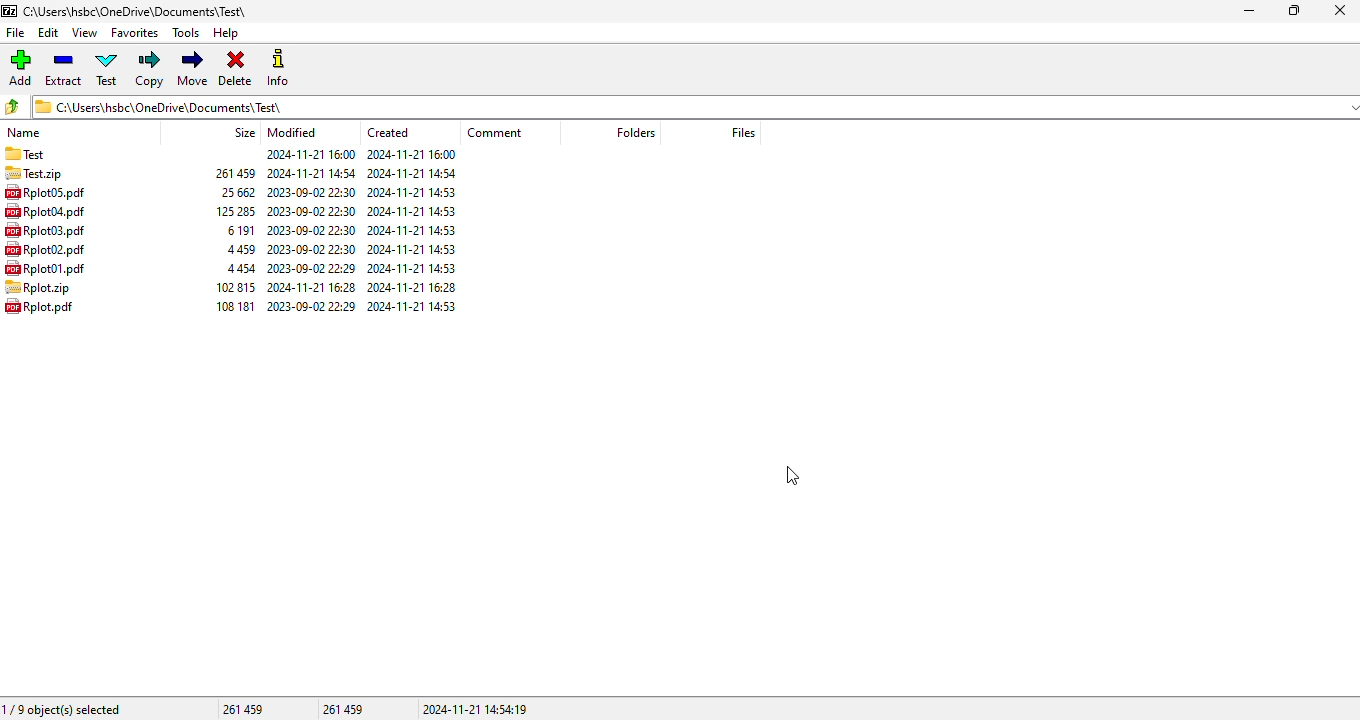 This screenshot has height=720, width=1360. I want to click on modified date & time, so click(312, 248).